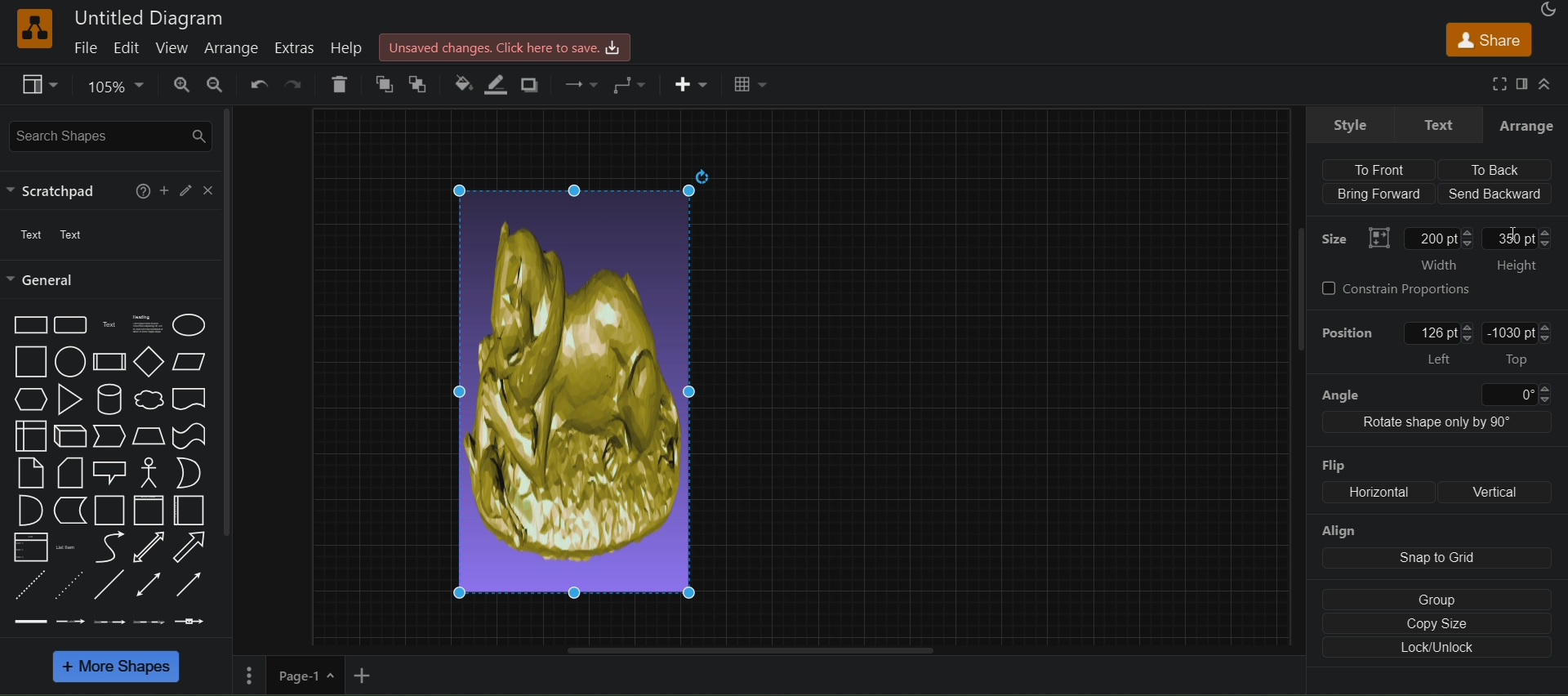  I want to click on cursor, so click(1515, 236).